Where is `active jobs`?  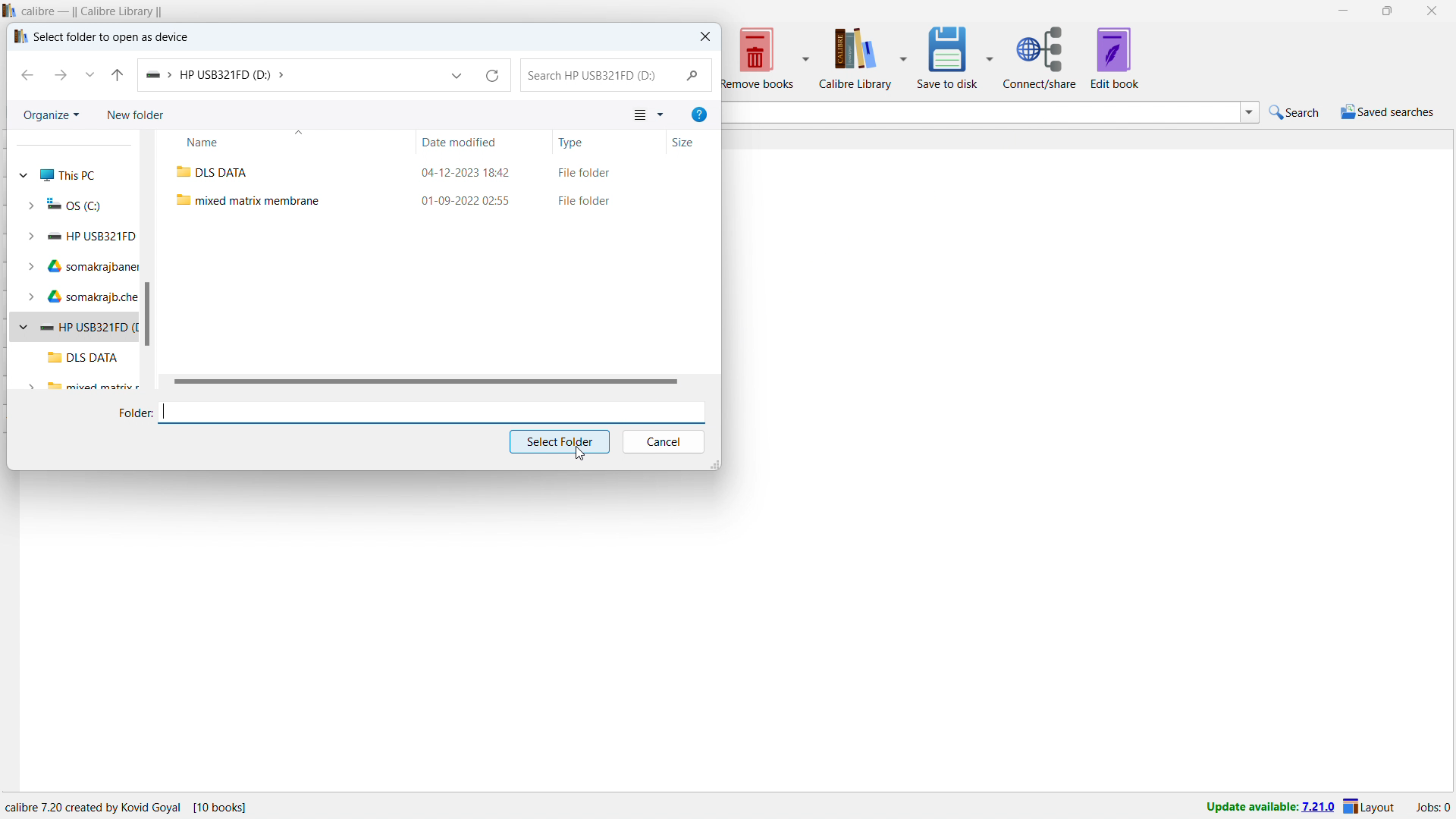
active jobs is located at coordinates (1433, 808).